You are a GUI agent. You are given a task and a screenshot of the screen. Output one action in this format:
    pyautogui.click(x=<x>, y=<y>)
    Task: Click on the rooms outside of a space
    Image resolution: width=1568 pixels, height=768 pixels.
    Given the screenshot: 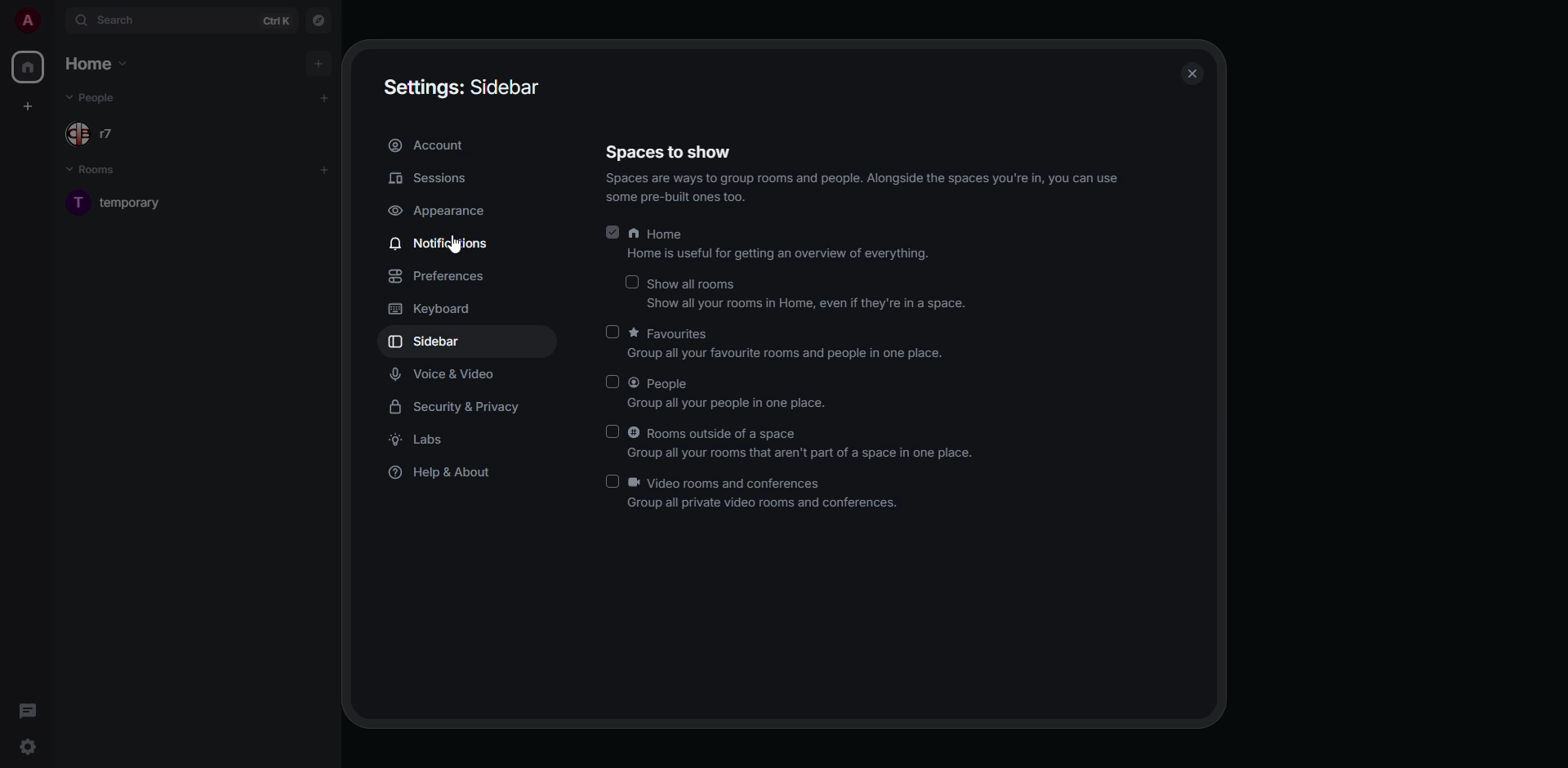 What is the action you would take?
    pyautogui.click(x=800, y=444)
    